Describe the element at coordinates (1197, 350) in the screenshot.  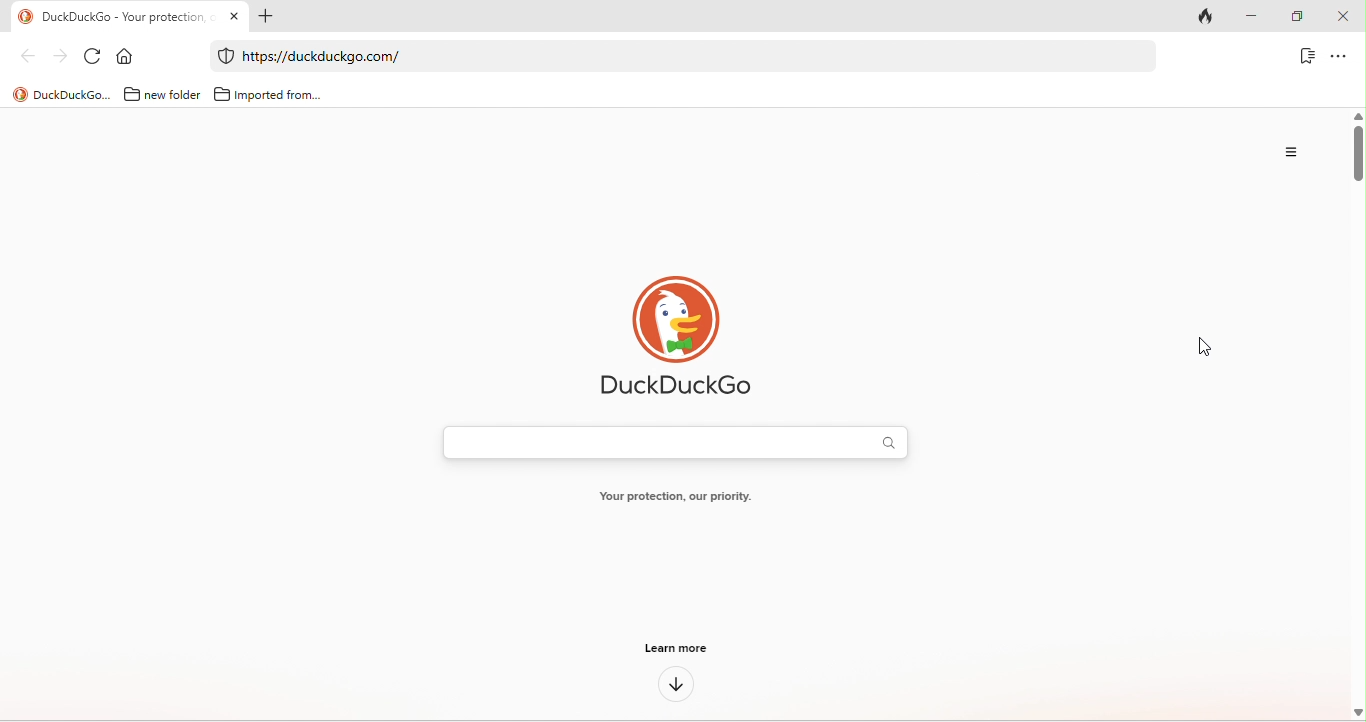
I see `cursor` at that location.